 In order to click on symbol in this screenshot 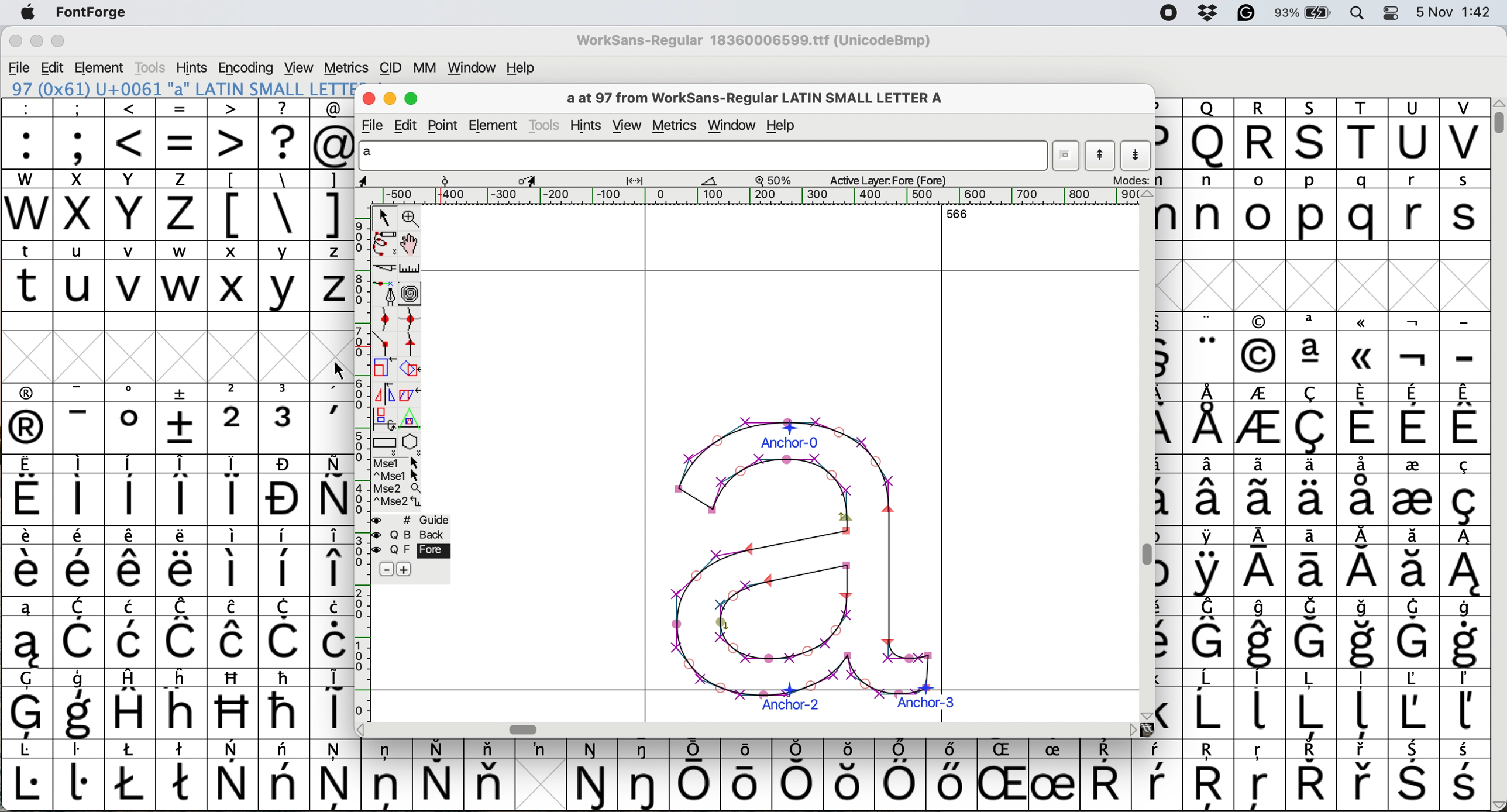, I will do `click(1363, 418)`.